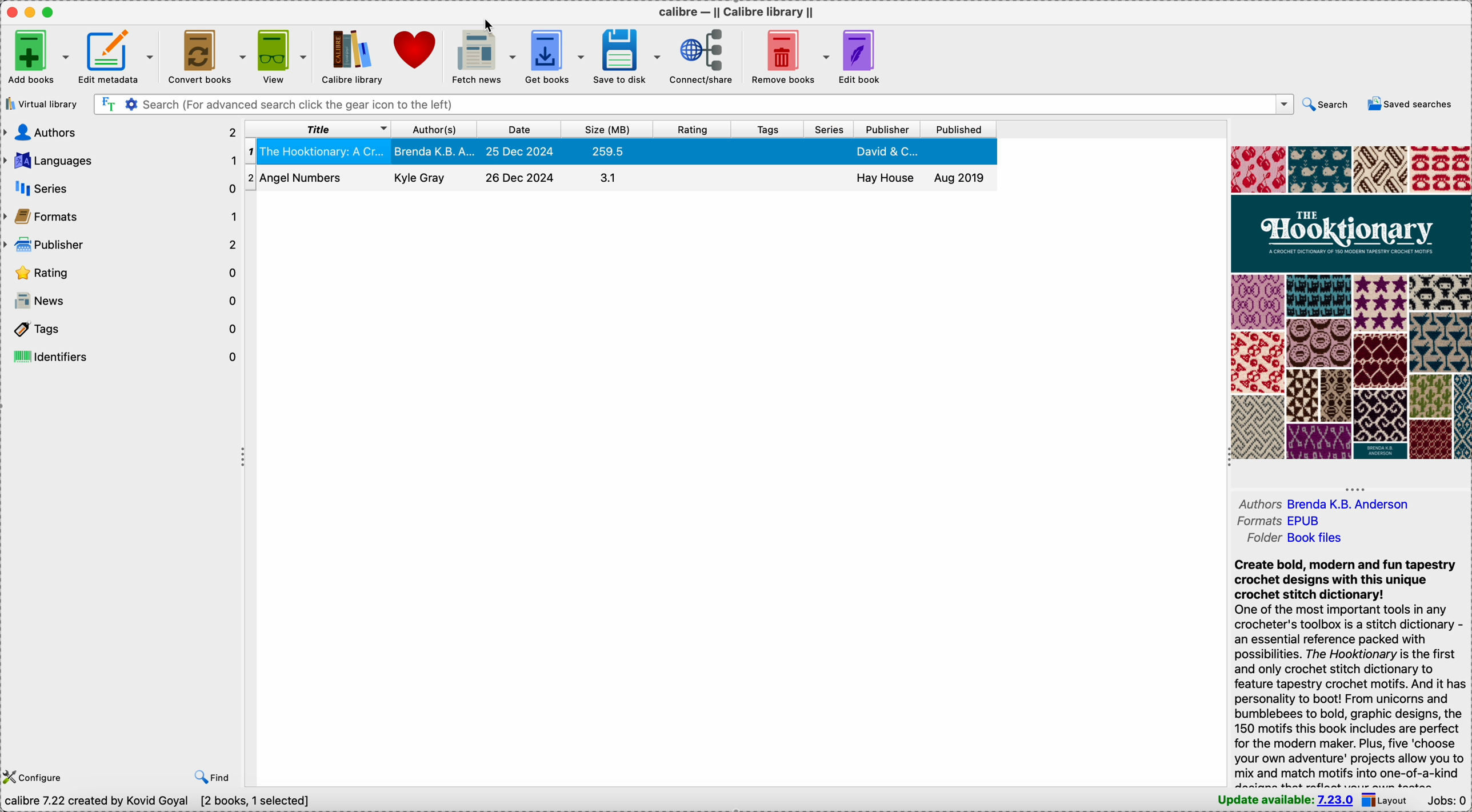 The height and width of the screenshot is (812, 1472). I want to click on remove books, so click(790, 55).